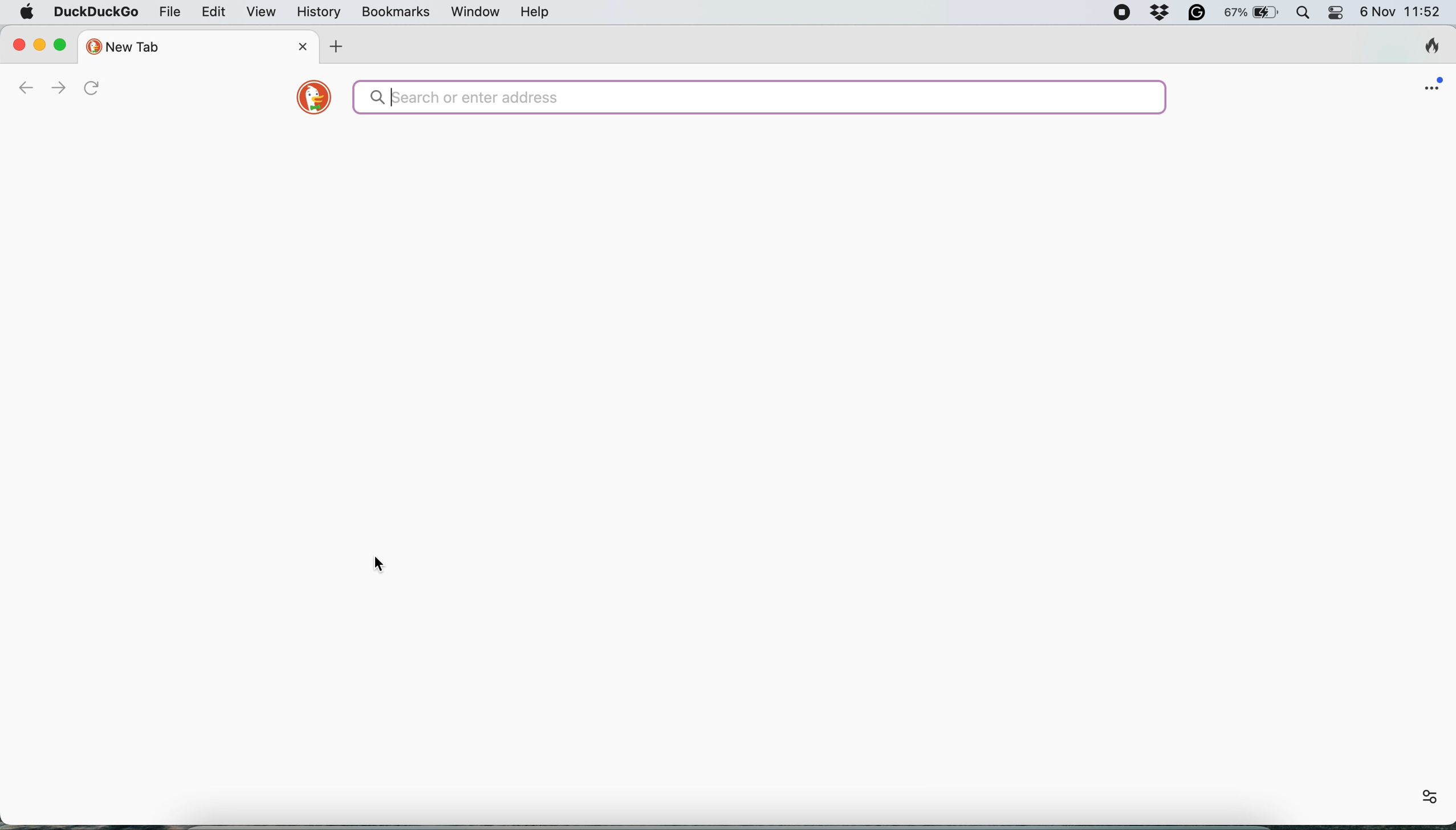  Describe the element at coordinates (393, 12) in the screenshot. I see `bookmarks` at that location.